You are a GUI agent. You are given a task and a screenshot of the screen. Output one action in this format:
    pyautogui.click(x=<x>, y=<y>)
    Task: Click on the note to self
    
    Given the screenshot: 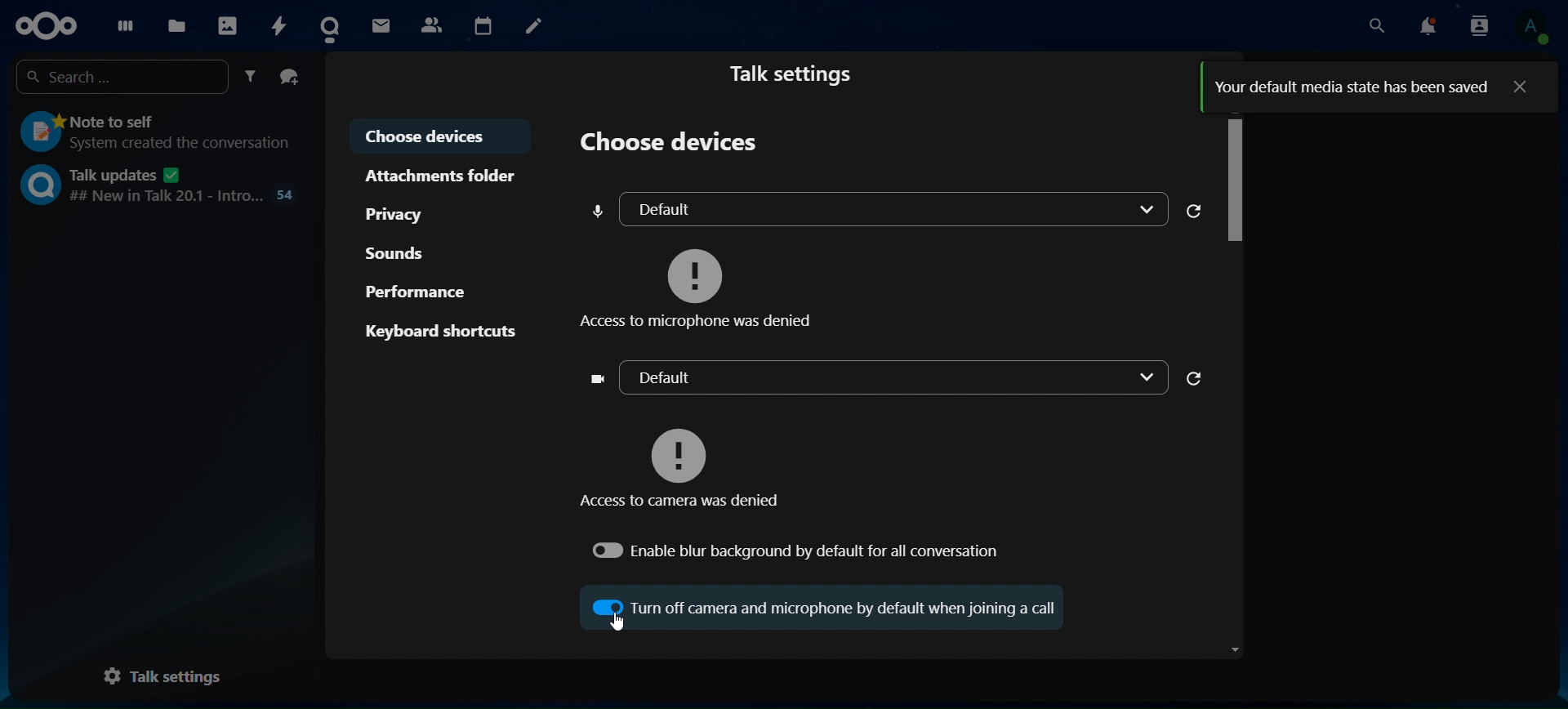 What is the action you would take?
    pyautogui.click(x=153, y=128)
    